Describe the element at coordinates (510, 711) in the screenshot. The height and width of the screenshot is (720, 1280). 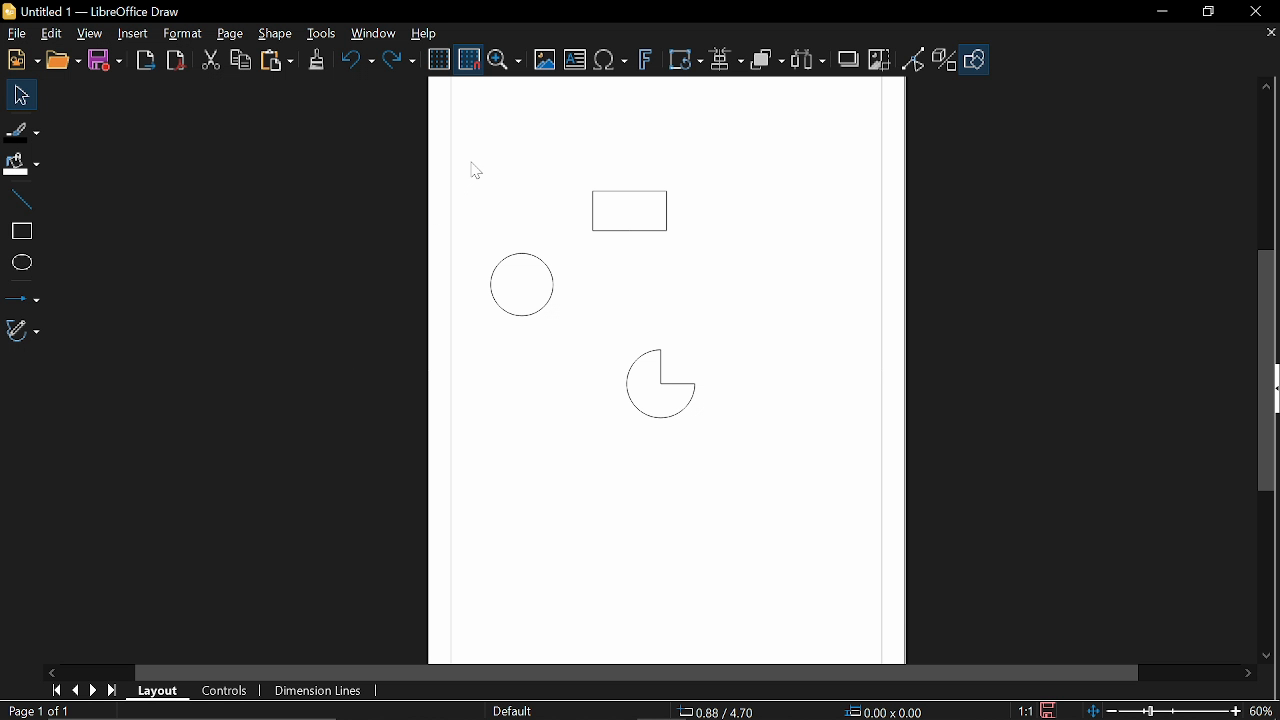
I see `Slide master name` at that location.